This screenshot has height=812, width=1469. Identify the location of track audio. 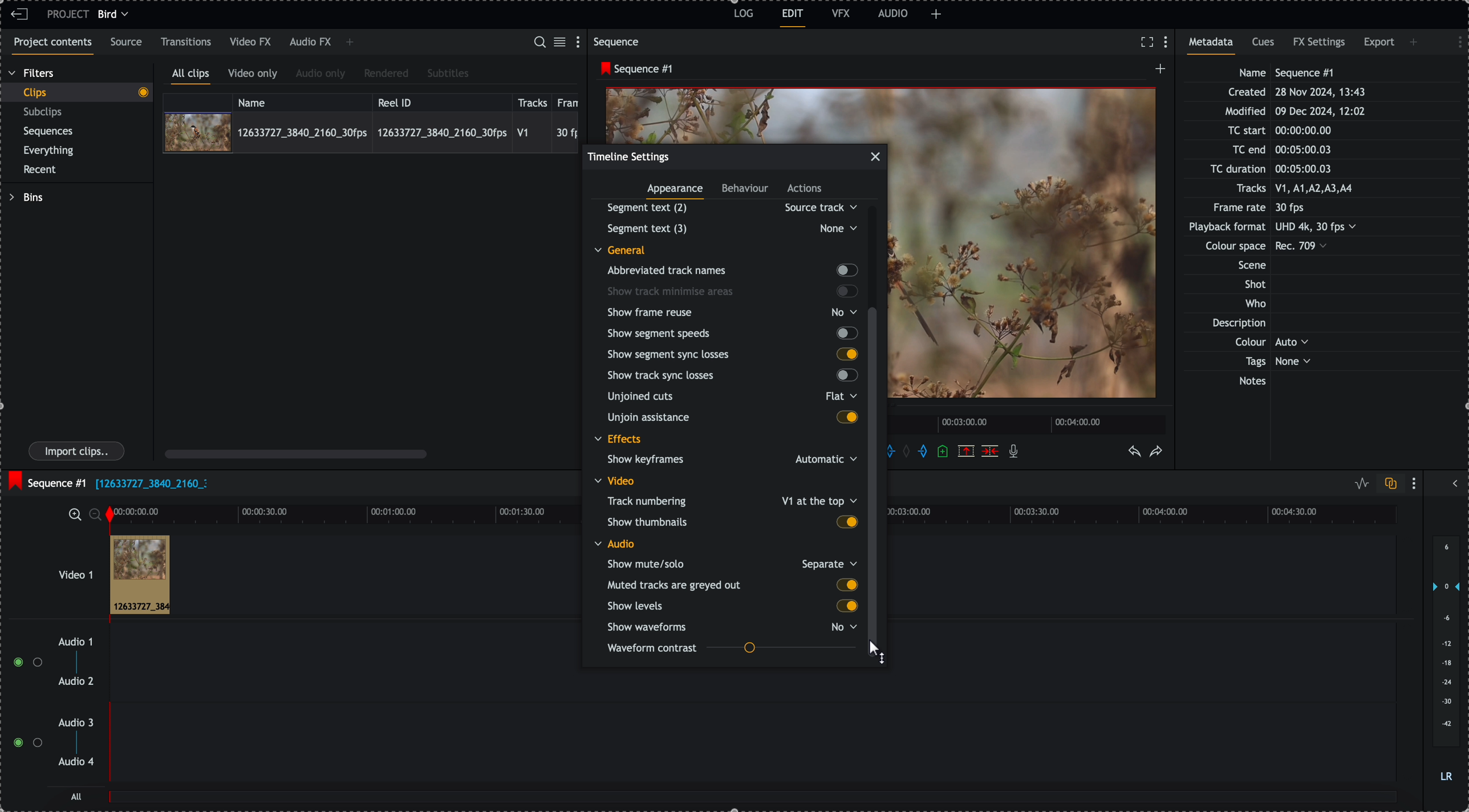
(752, 688).